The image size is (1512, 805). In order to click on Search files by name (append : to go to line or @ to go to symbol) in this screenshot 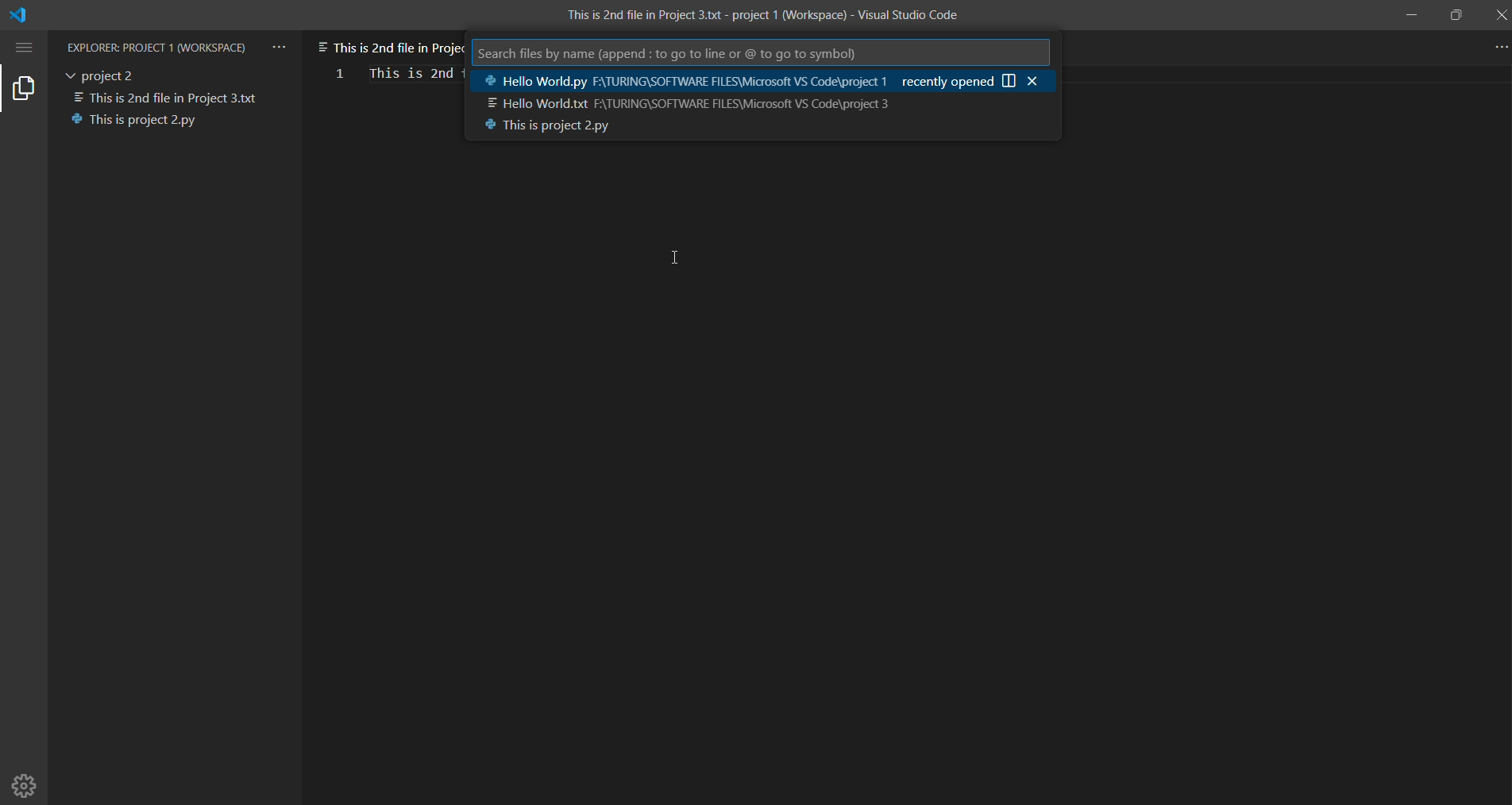, I will do `click(670, 52)`.